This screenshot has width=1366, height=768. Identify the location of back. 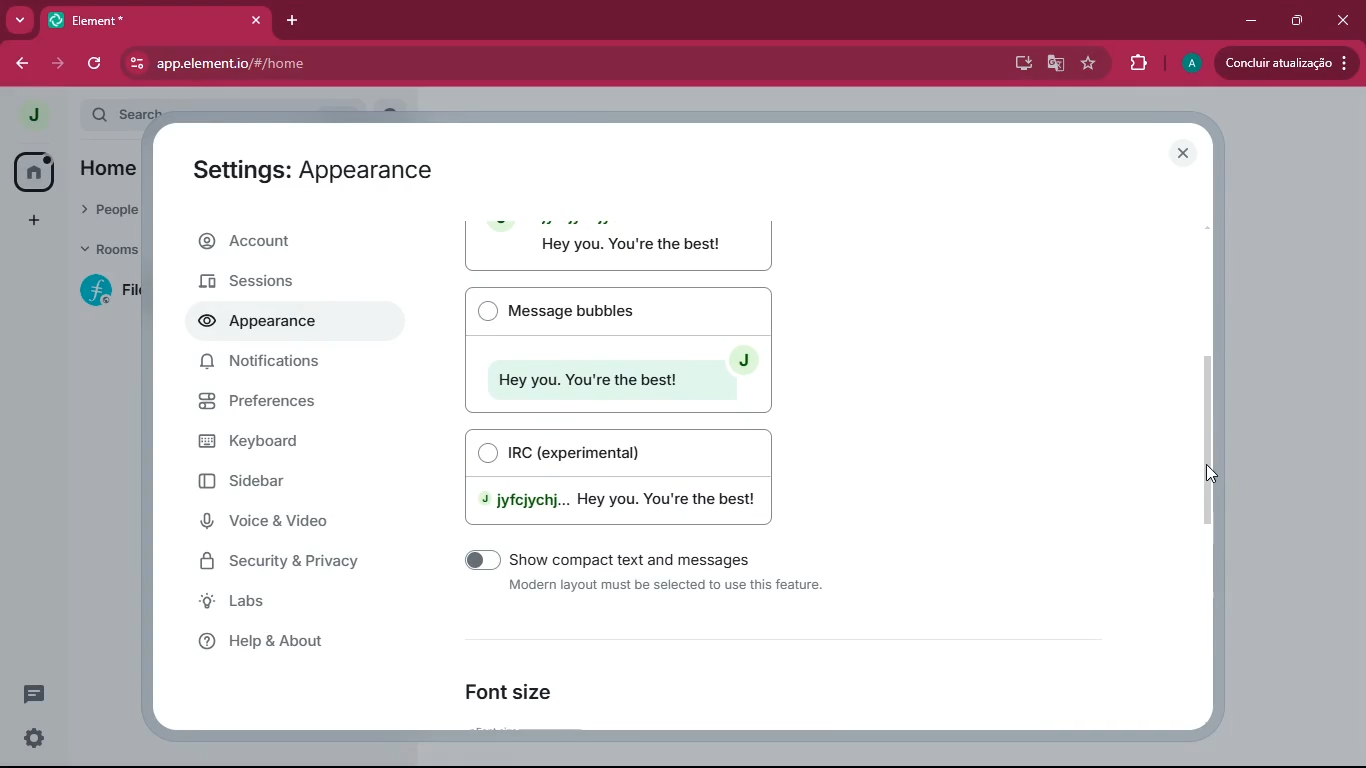
(20, 61).